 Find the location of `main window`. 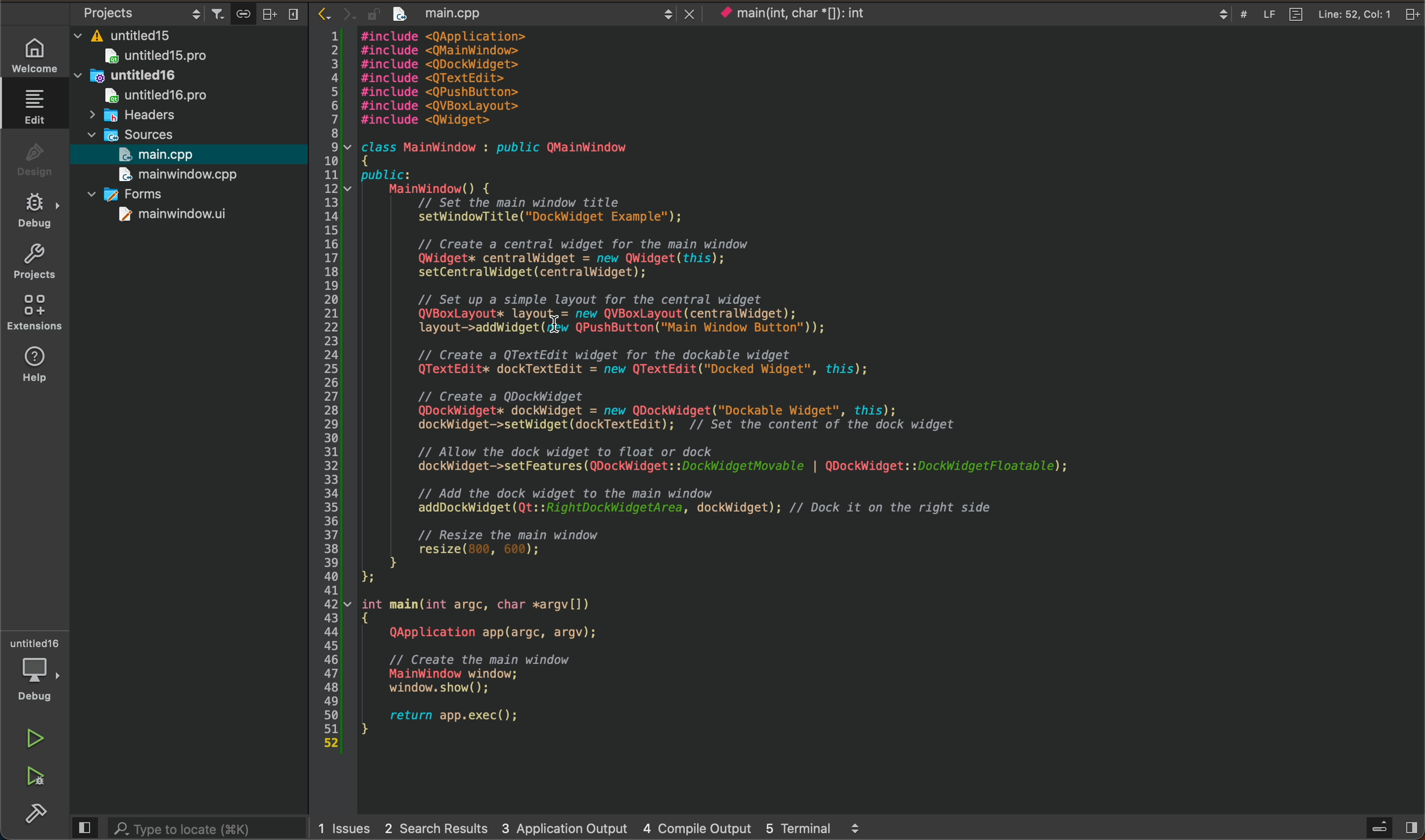

main window is located at coordinates (186, 174).